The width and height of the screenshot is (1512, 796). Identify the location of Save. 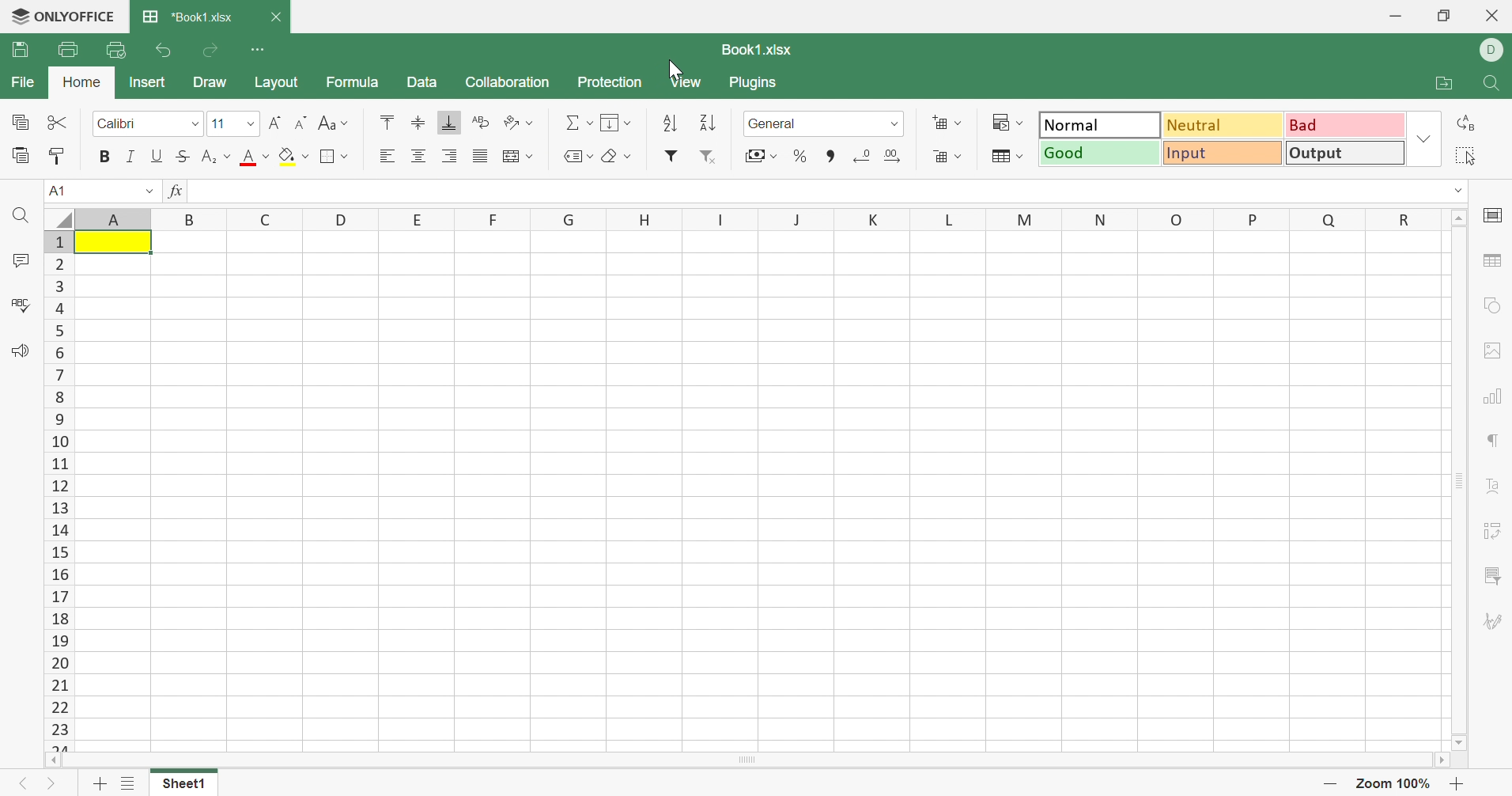
(16, 49).